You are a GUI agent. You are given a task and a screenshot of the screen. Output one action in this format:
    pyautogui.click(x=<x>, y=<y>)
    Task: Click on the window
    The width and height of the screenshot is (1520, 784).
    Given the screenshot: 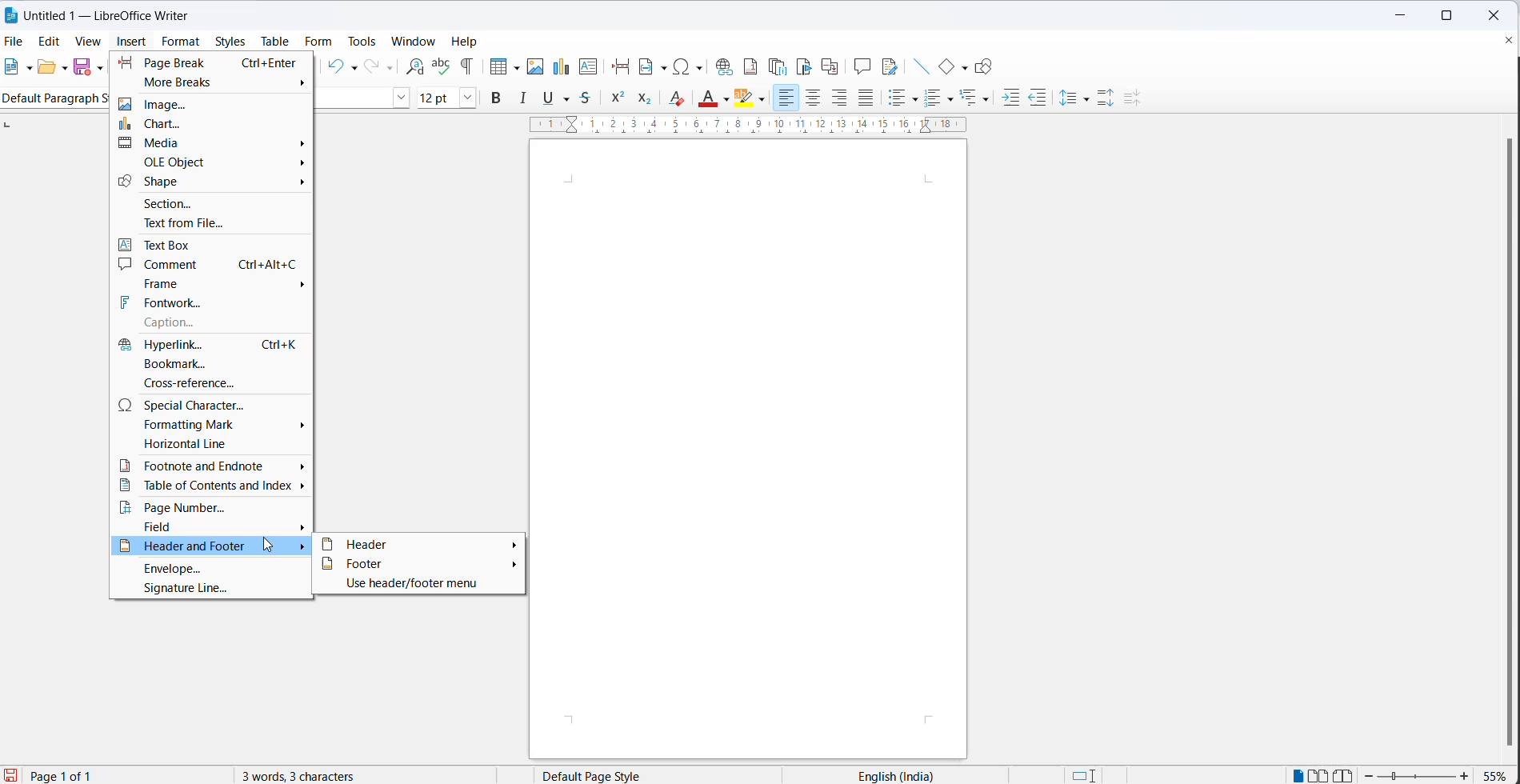 What is the action you would take?
    pyautogui.click(x=414, y=42)
    